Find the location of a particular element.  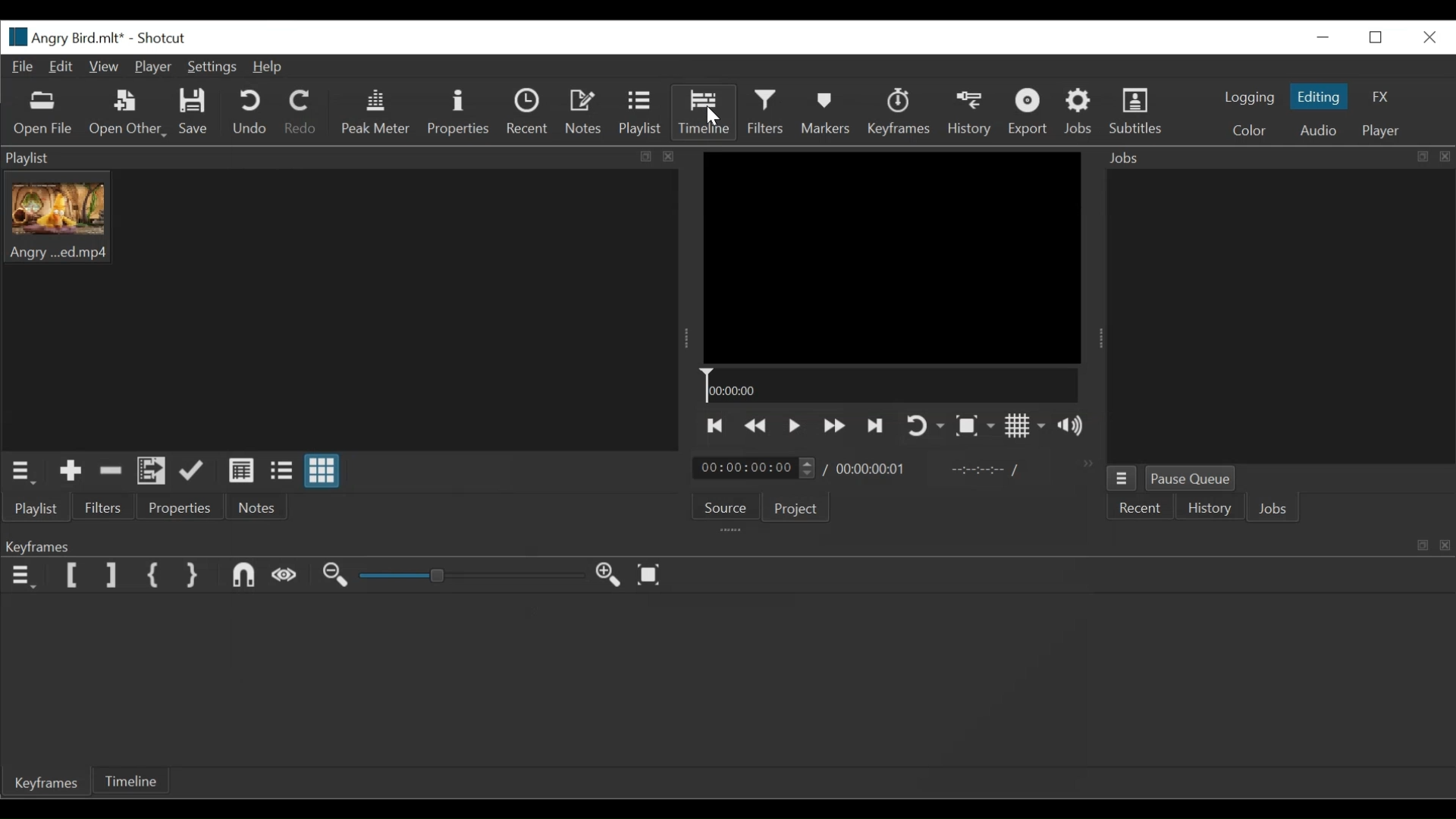

Set Filter Last is located at coordinates (111, 576).